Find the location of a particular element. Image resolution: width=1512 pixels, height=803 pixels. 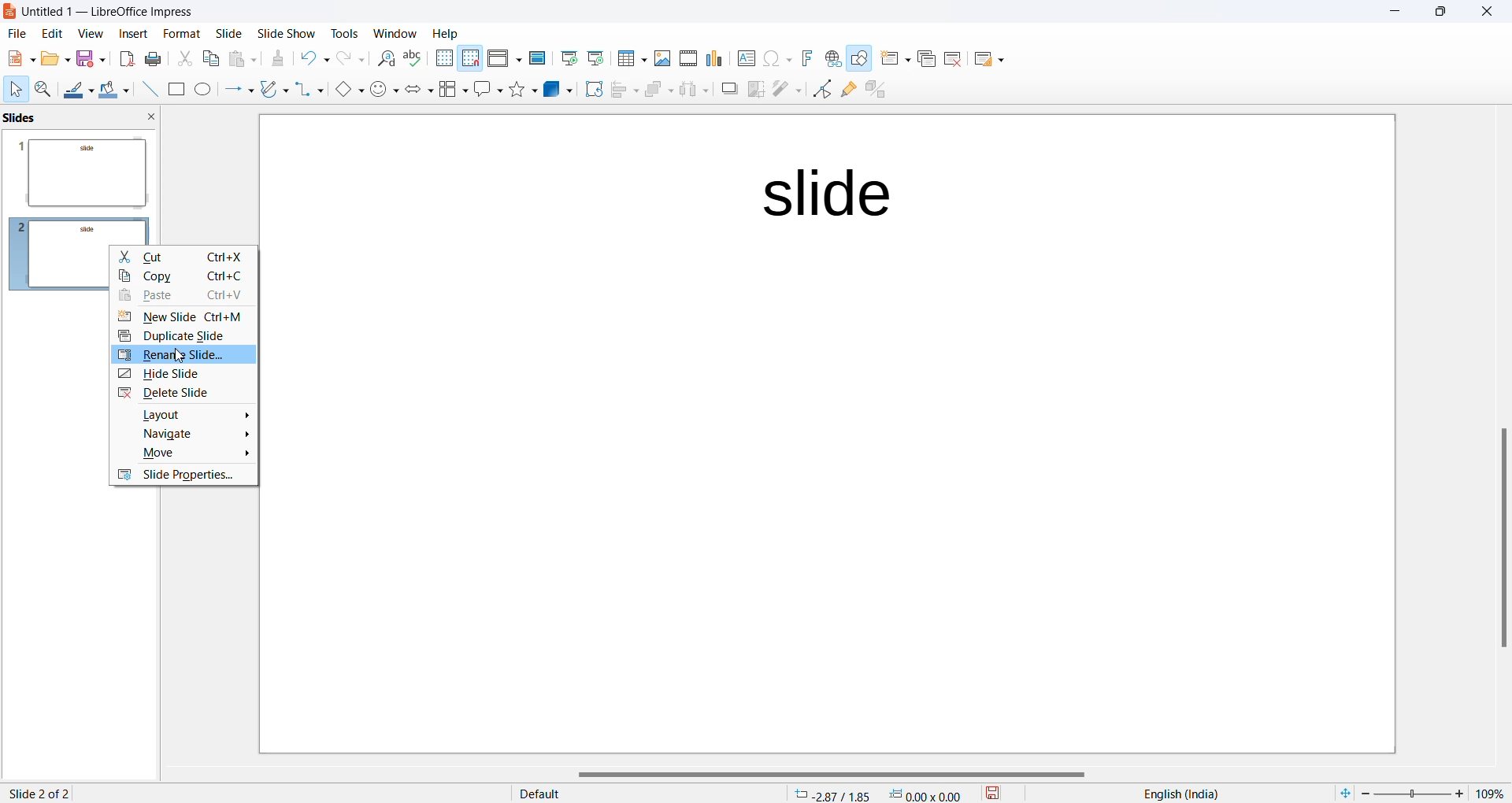

symbol shapes is located at coordinates (384, 90).